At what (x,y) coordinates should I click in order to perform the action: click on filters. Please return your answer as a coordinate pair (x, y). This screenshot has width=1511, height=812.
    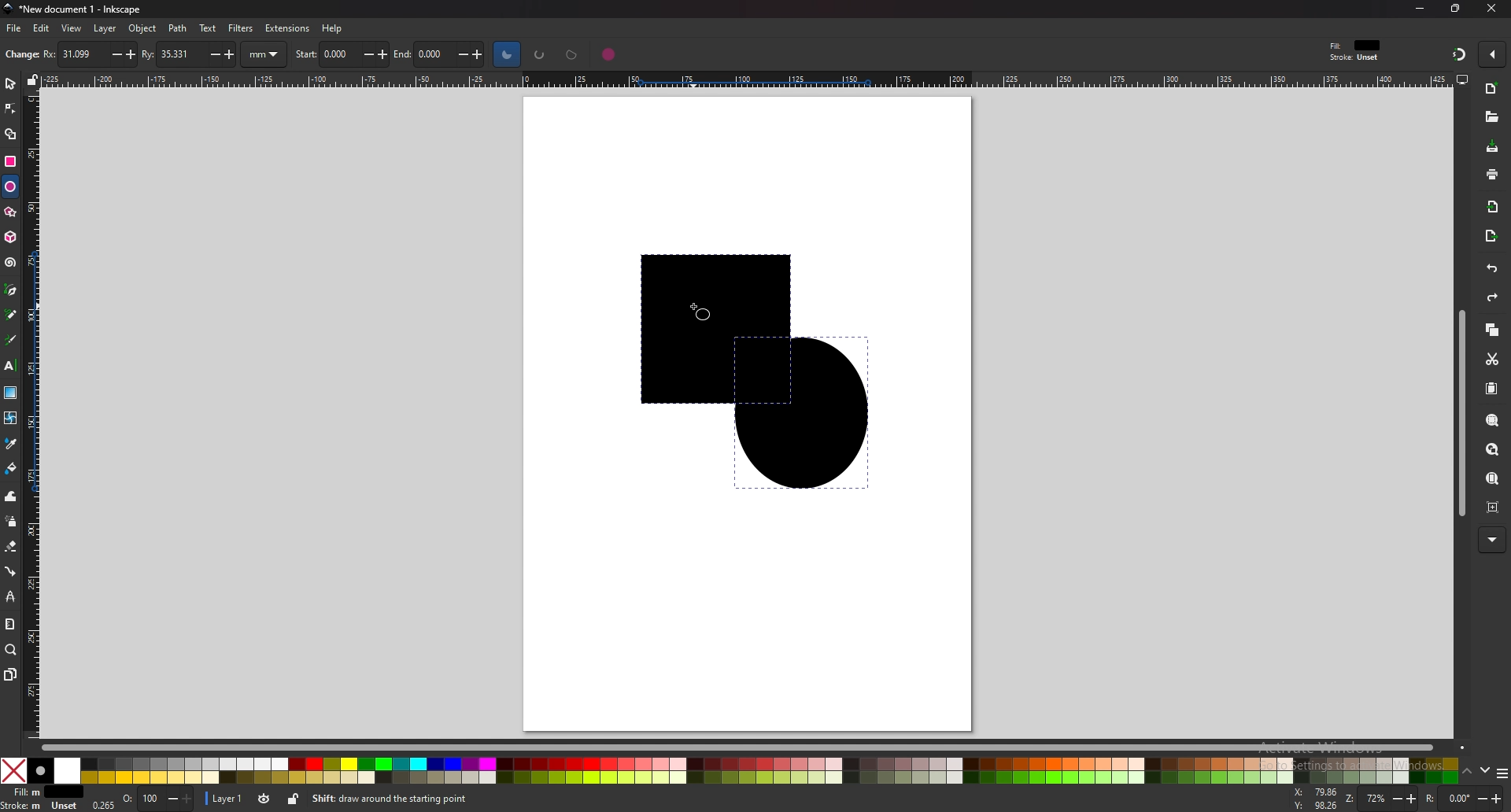
    Looking at the image, I should click on (241, 28).